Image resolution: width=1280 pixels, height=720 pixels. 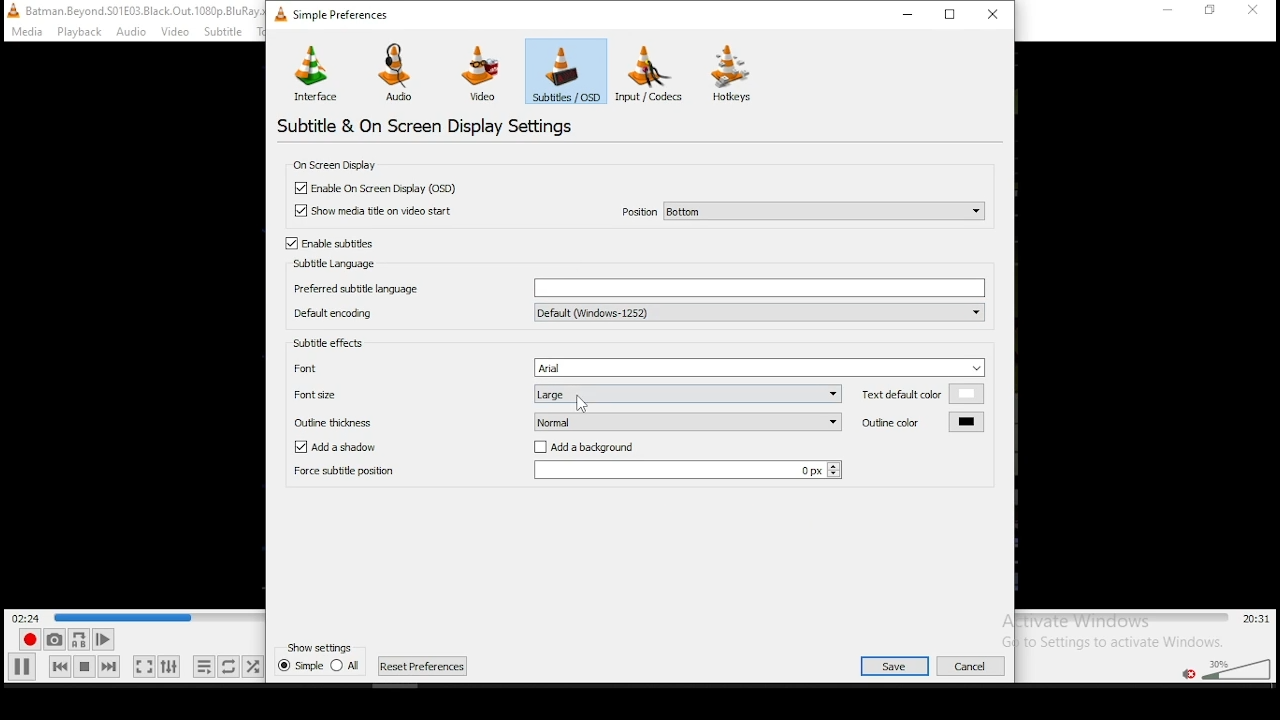 I want to click on show extended settings, so click(x=171, y=666).